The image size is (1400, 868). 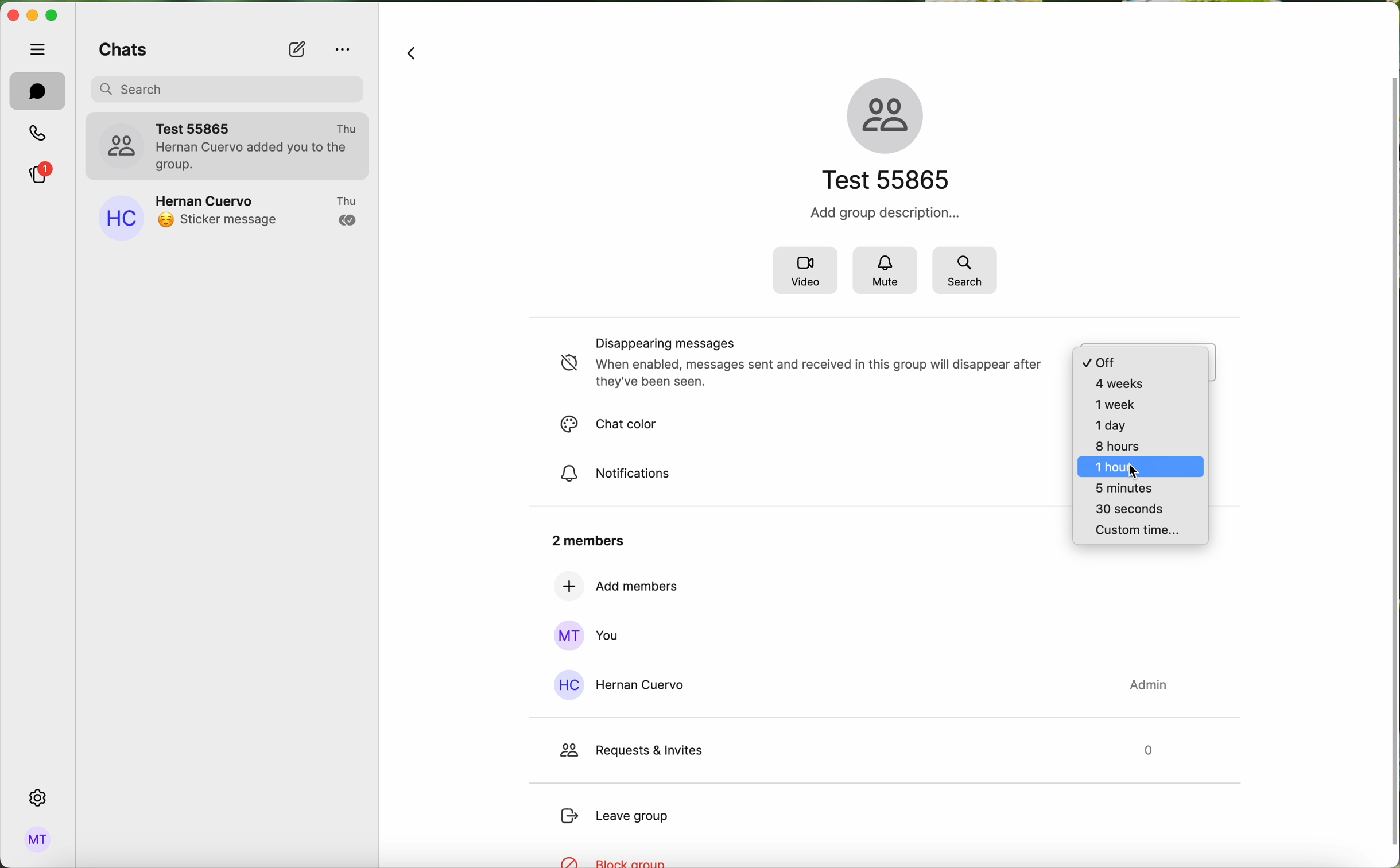 What do you see at coordinates (37, 91) in the screenshot?
I see `chats` at bounding box center [37, 91].